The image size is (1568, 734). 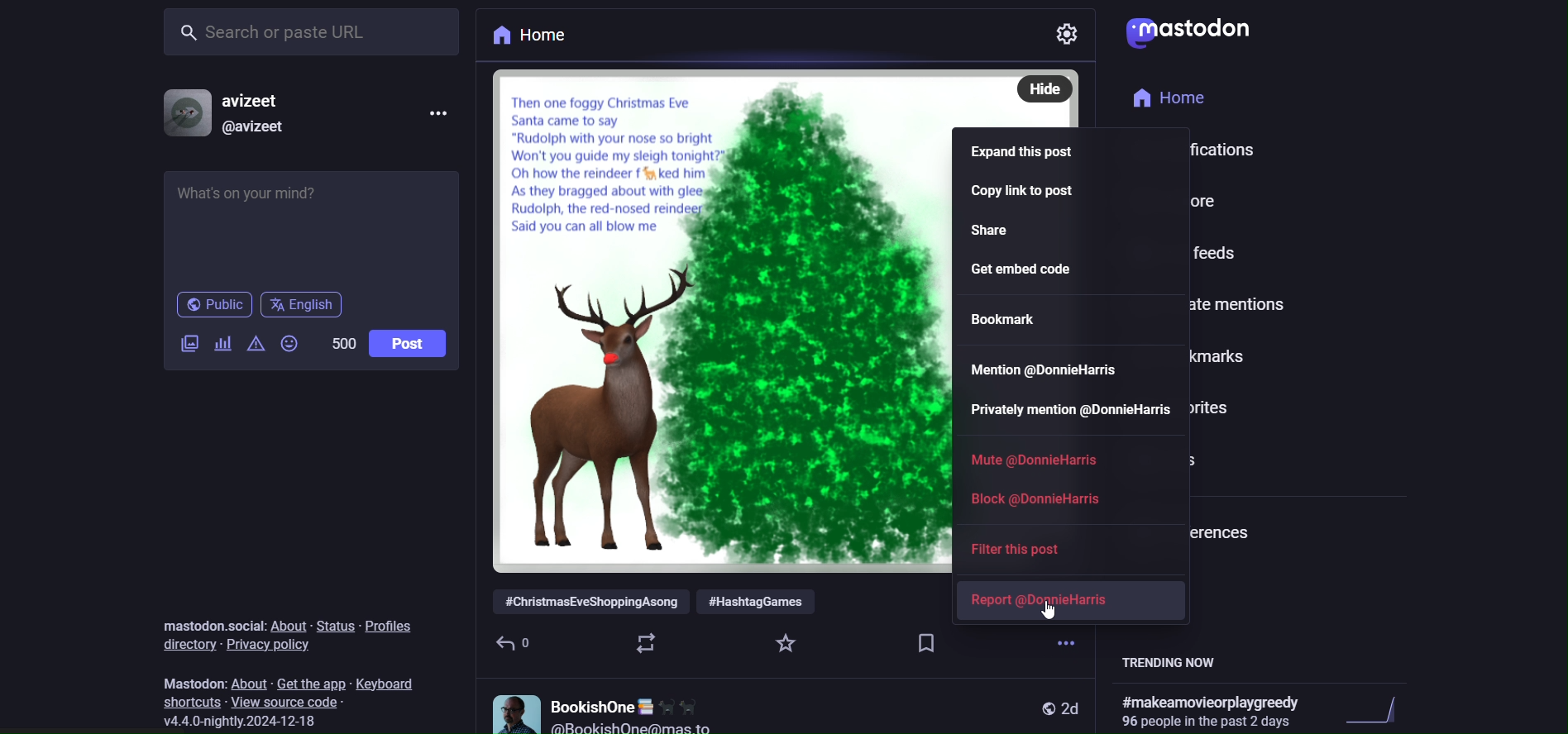 I want to click on notification, so click(x=1192, y=150).